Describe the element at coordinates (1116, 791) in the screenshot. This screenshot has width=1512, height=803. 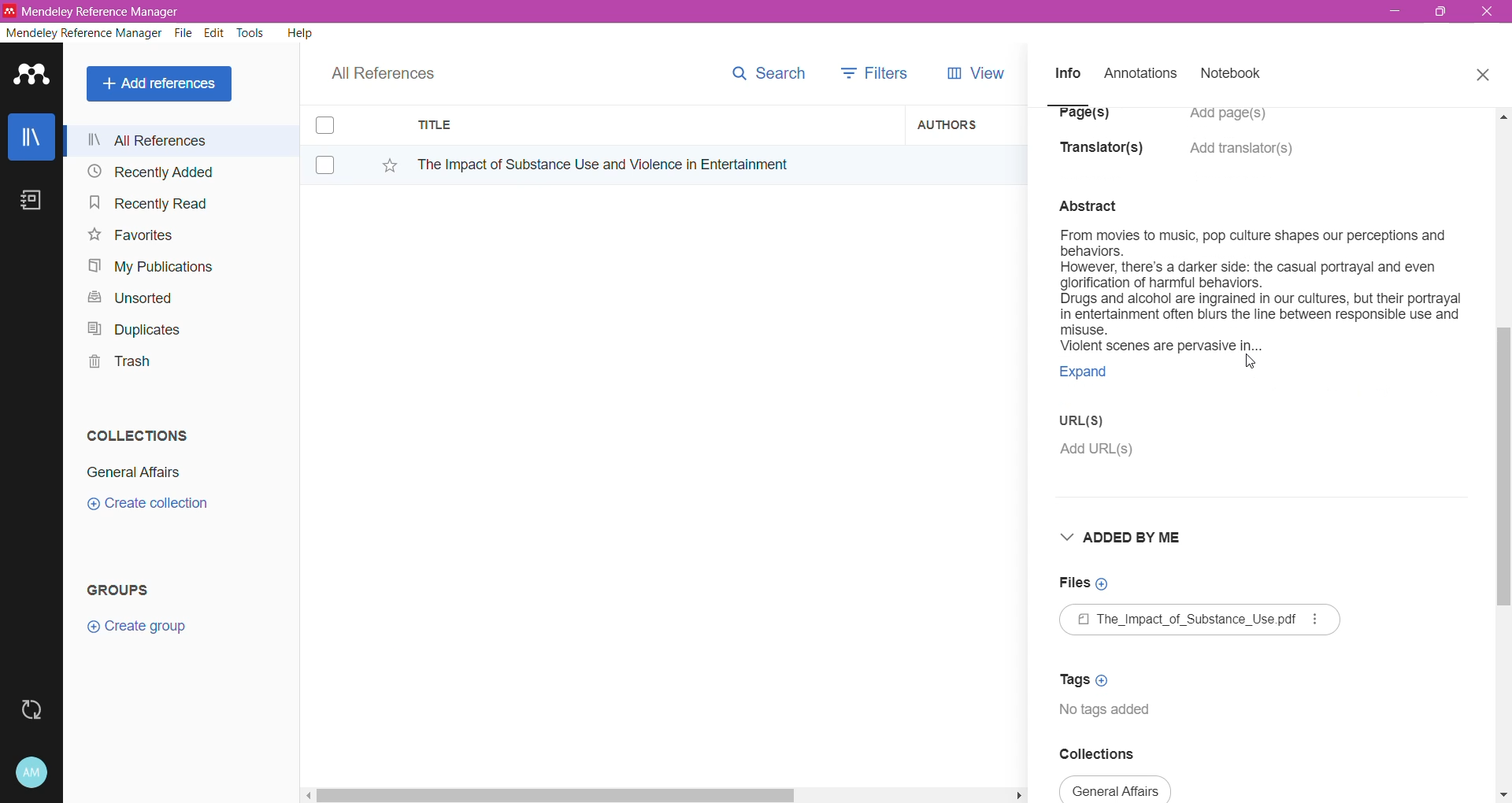
I see `Collection Name` at that location.